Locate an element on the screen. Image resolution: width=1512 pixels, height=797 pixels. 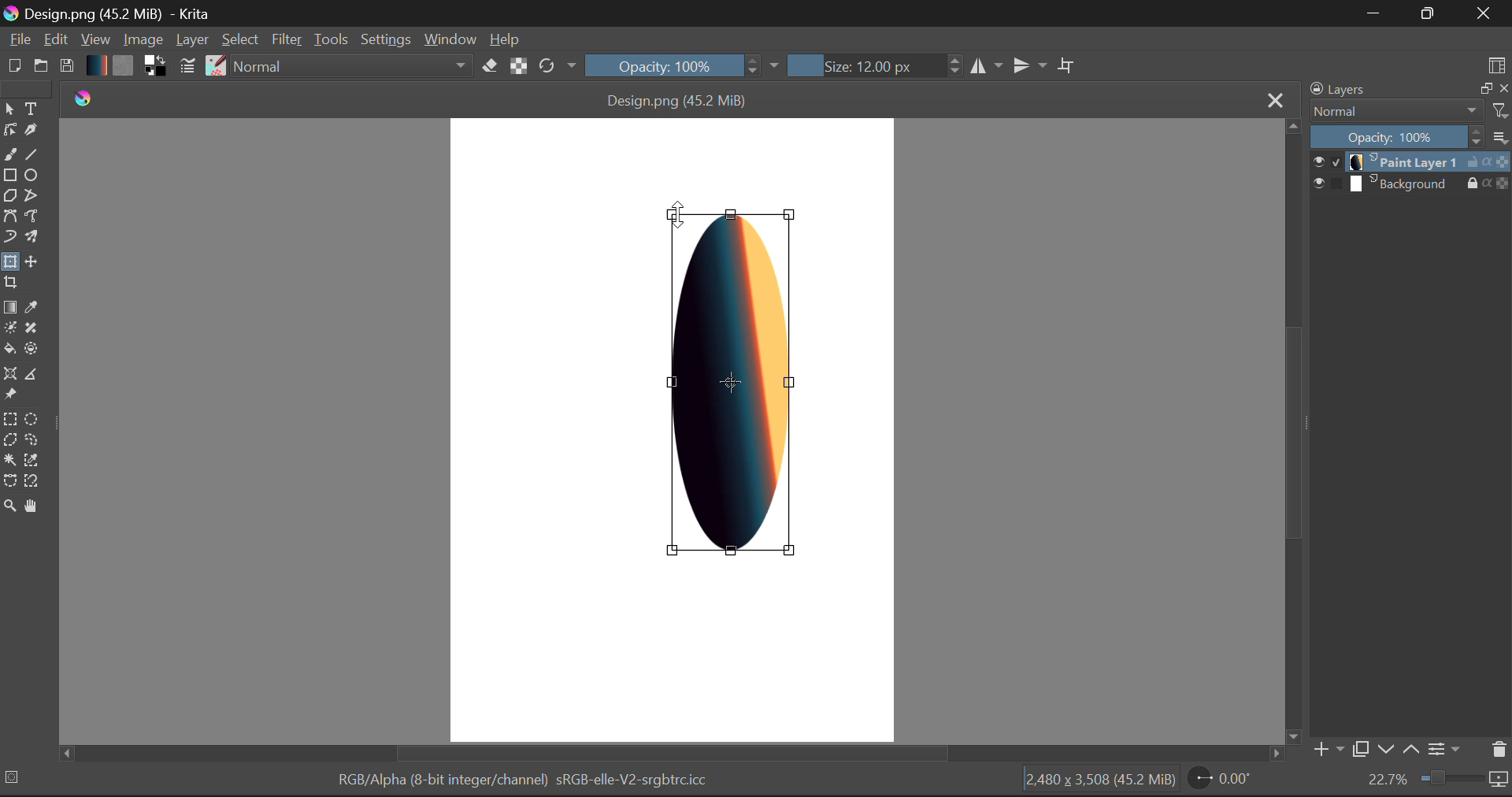
Krita Logo is located at coordinates (81, 98).